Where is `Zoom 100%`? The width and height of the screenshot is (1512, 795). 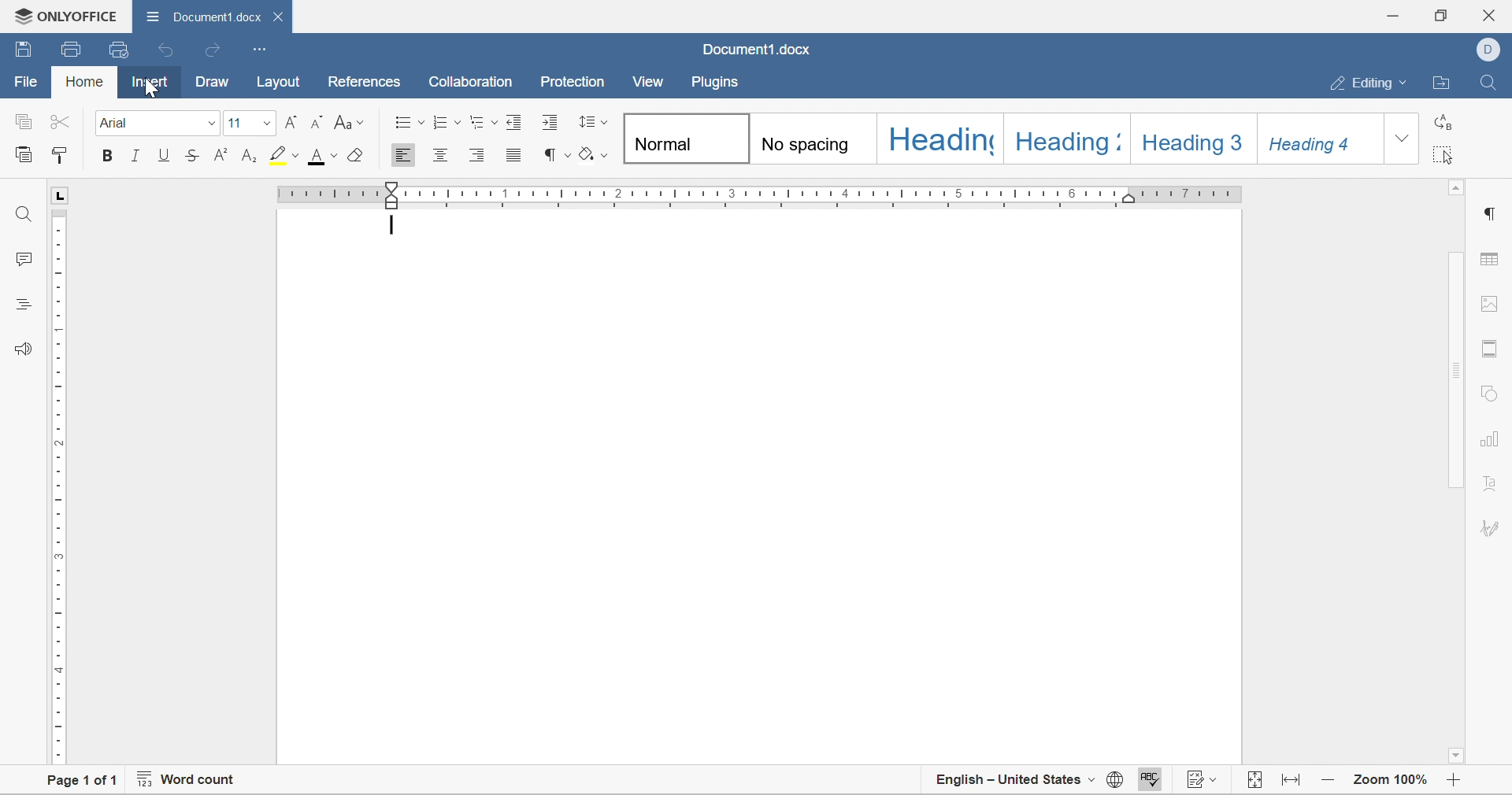 Zoom 100% is located at coordinates (1392, 782).